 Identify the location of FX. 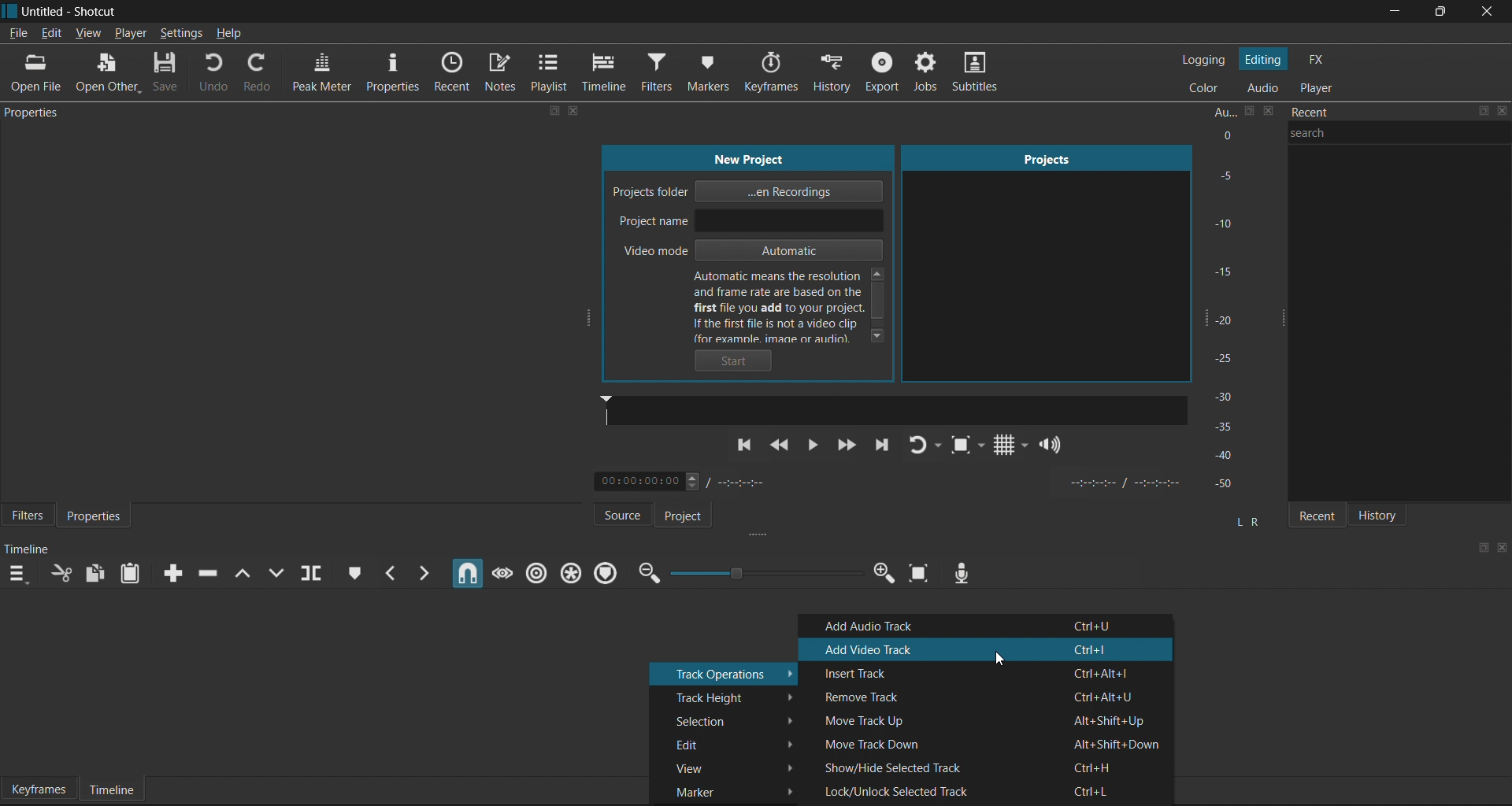
(1318, 61).